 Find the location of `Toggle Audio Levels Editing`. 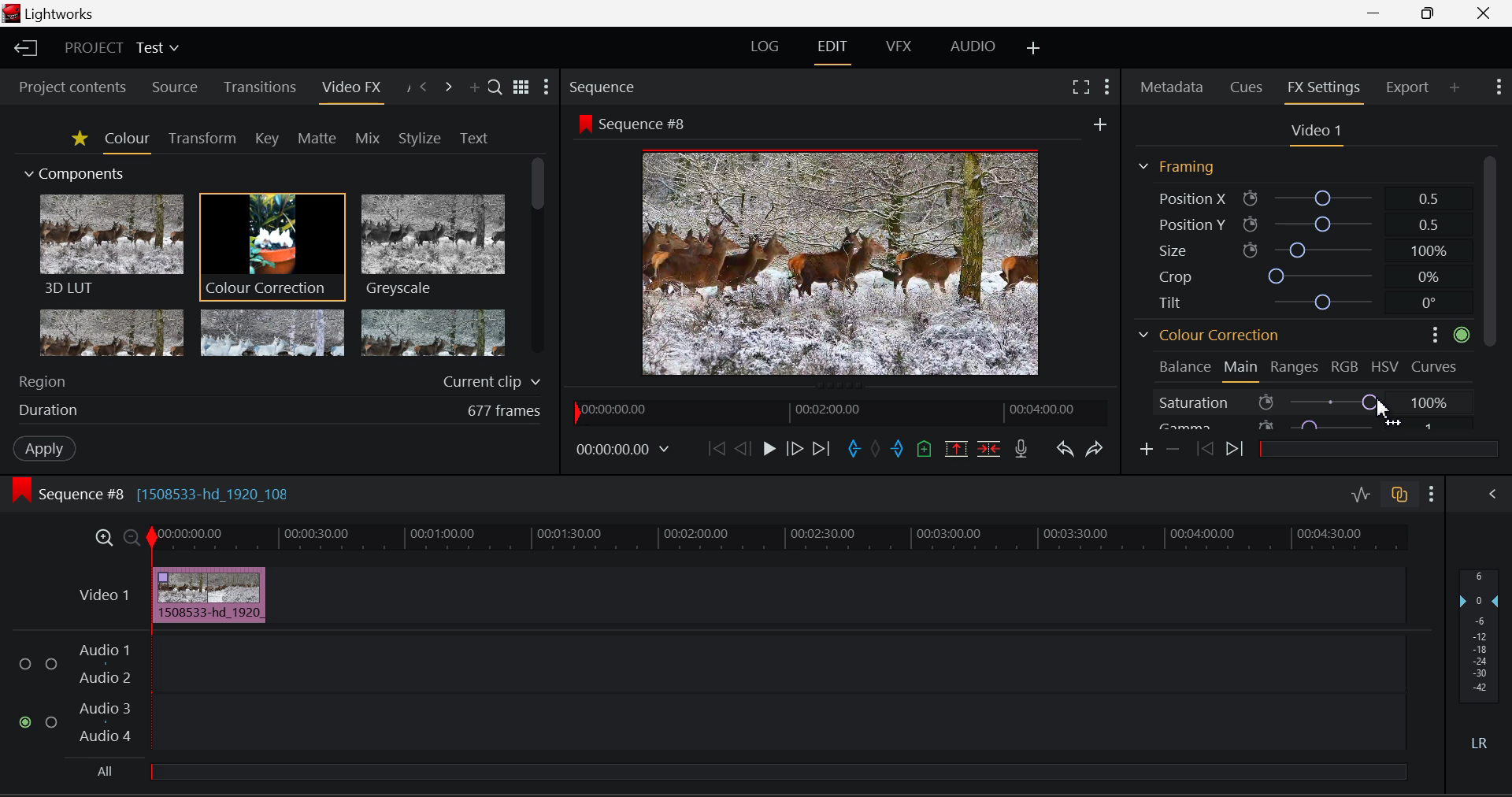

Toggle Audio Levels Editing is located at coordinates (1360, 498).